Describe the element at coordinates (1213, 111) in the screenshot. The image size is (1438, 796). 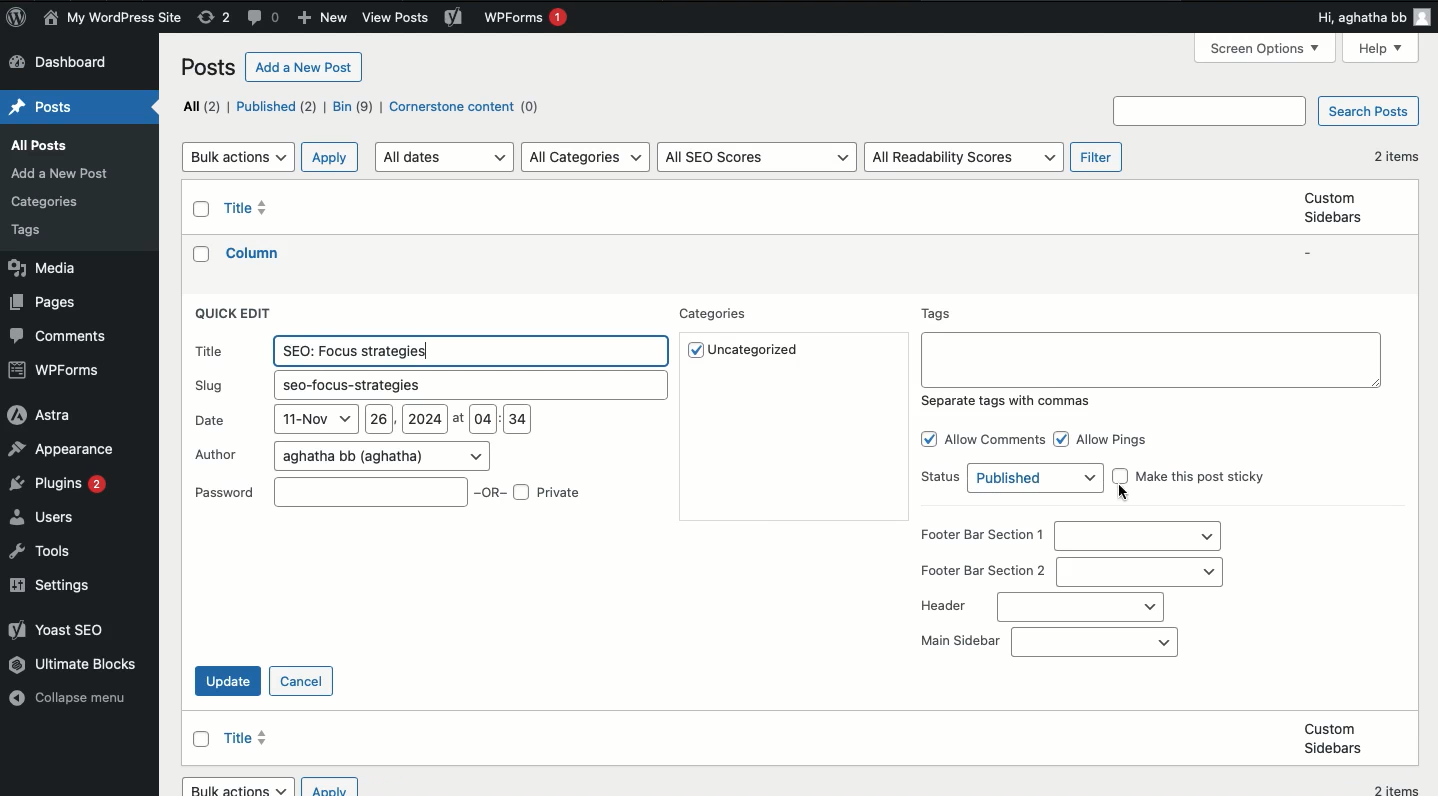
I see `Search` at that location.